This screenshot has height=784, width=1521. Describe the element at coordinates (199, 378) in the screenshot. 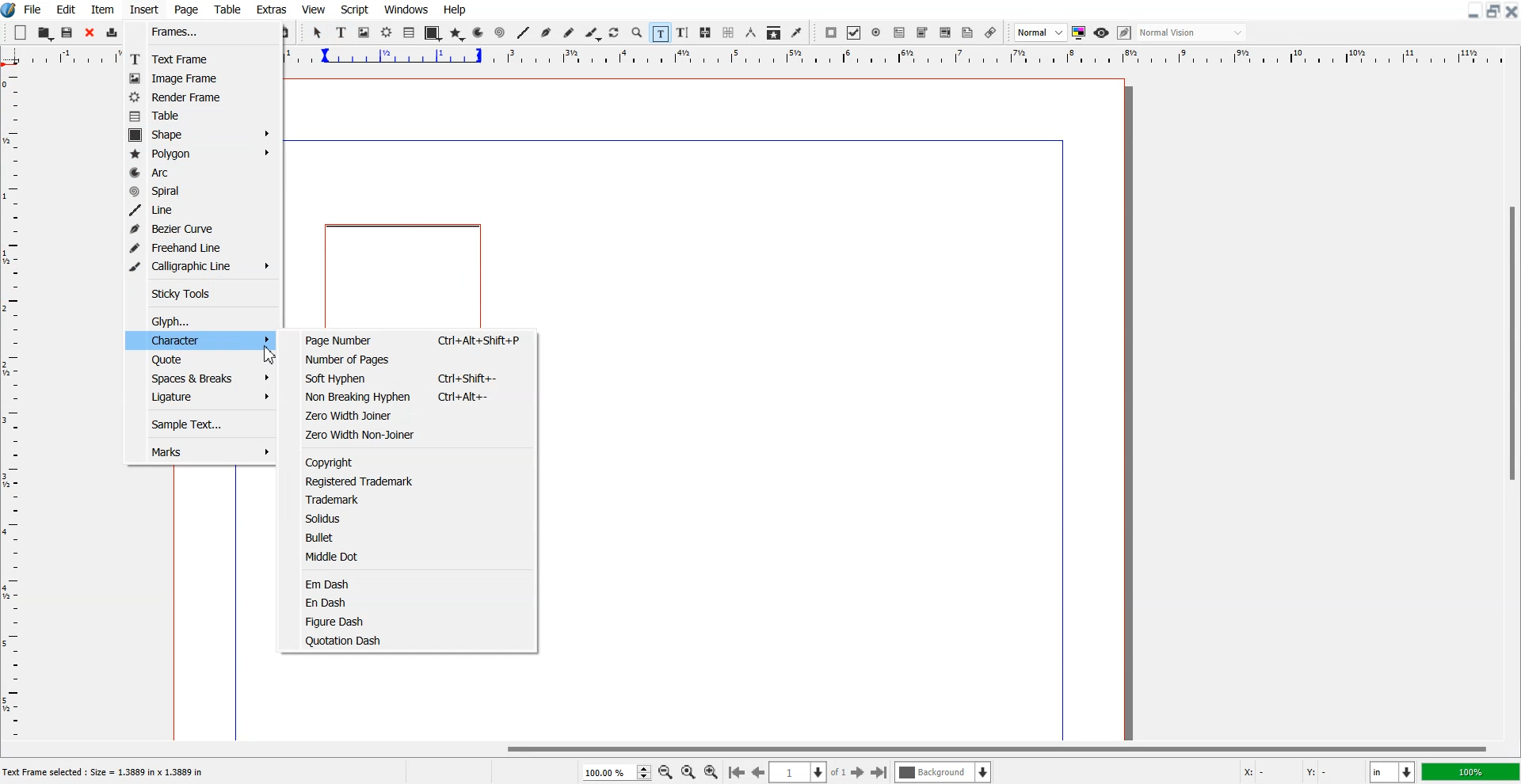

I see `Spaces & Breaks` at that location.